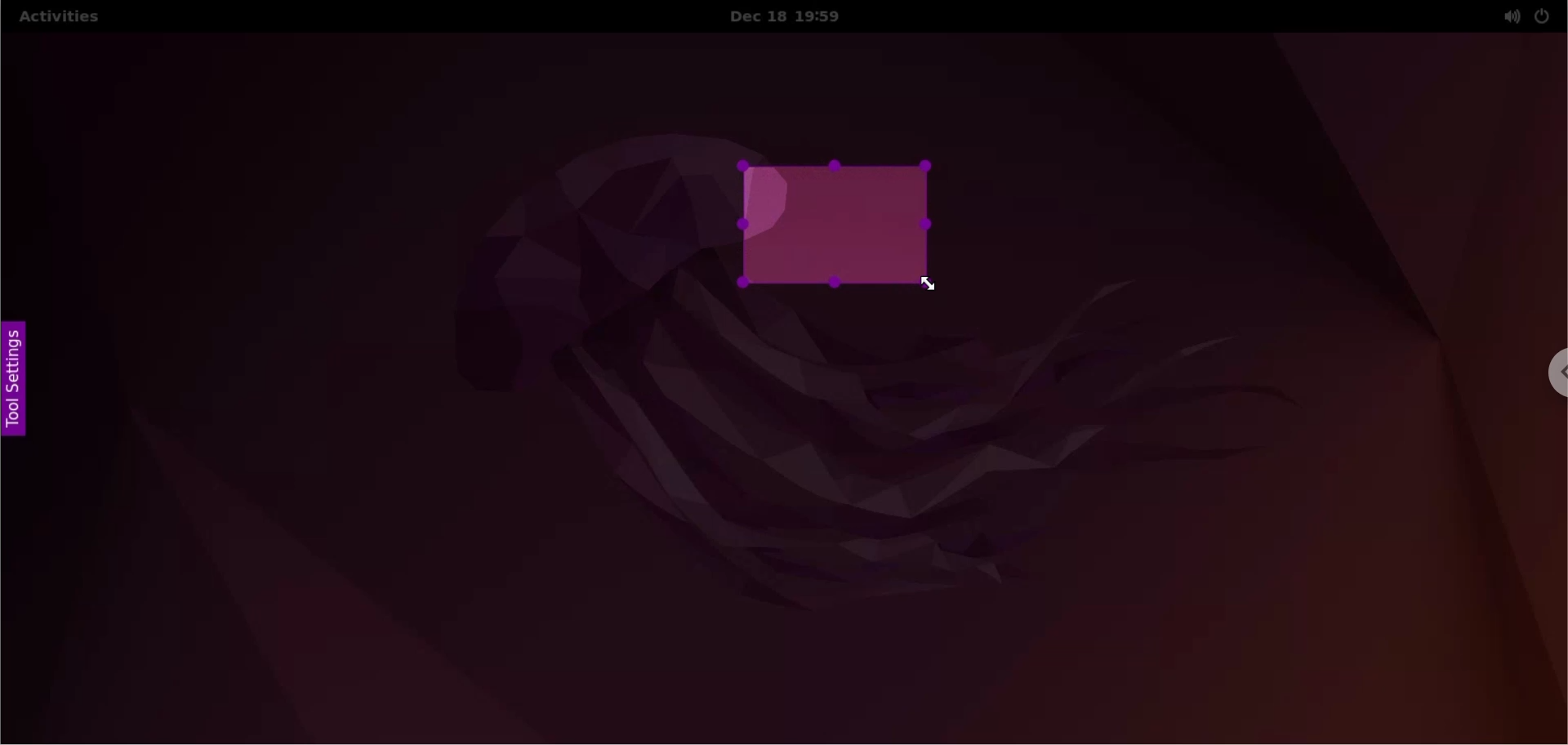  Describe the element at coordinates (1555, 377) in the screenshot. I see `chrome options` at that location.